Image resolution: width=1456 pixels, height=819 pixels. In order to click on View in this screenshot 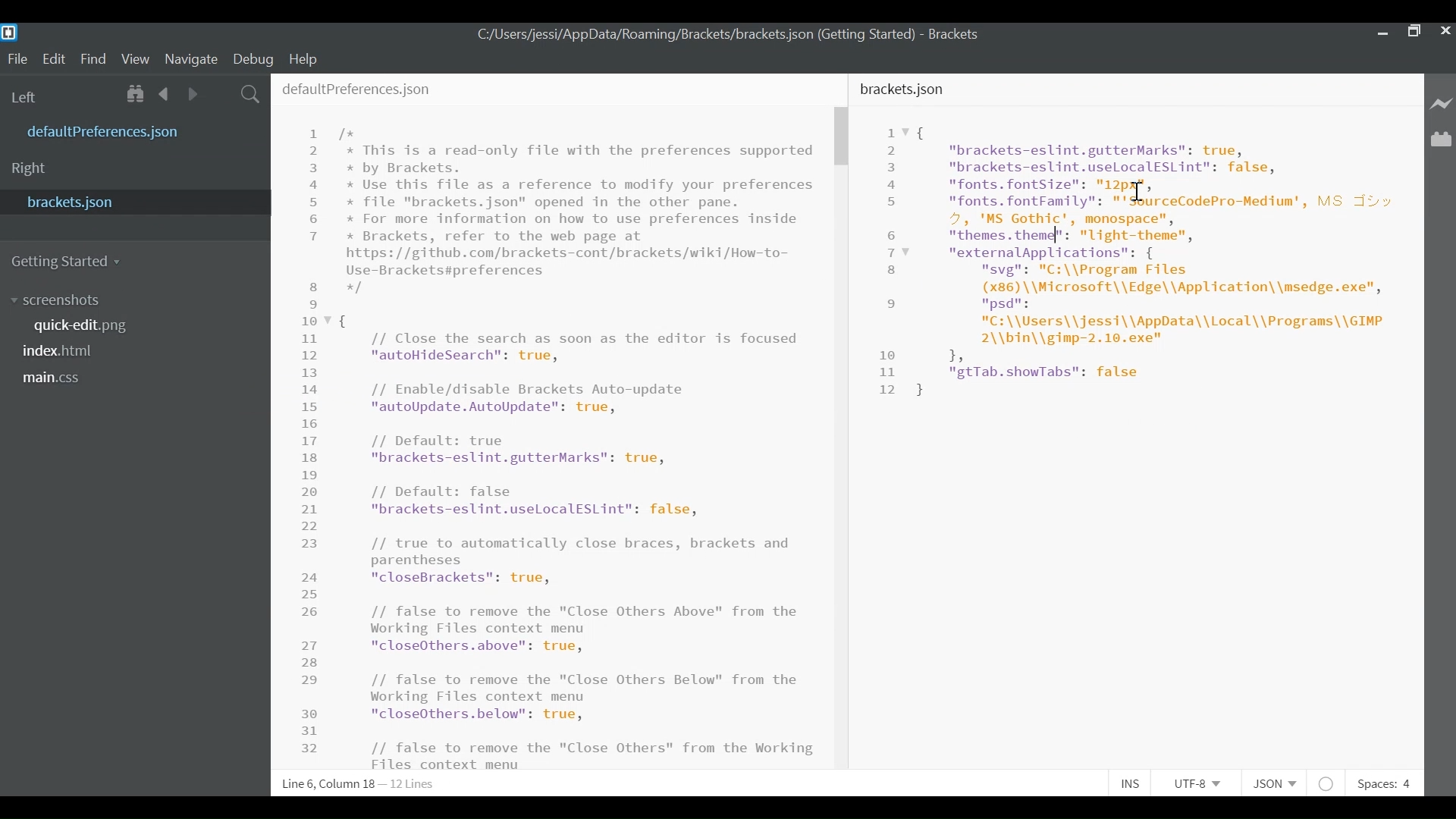, I will do `click(136, 60)`.